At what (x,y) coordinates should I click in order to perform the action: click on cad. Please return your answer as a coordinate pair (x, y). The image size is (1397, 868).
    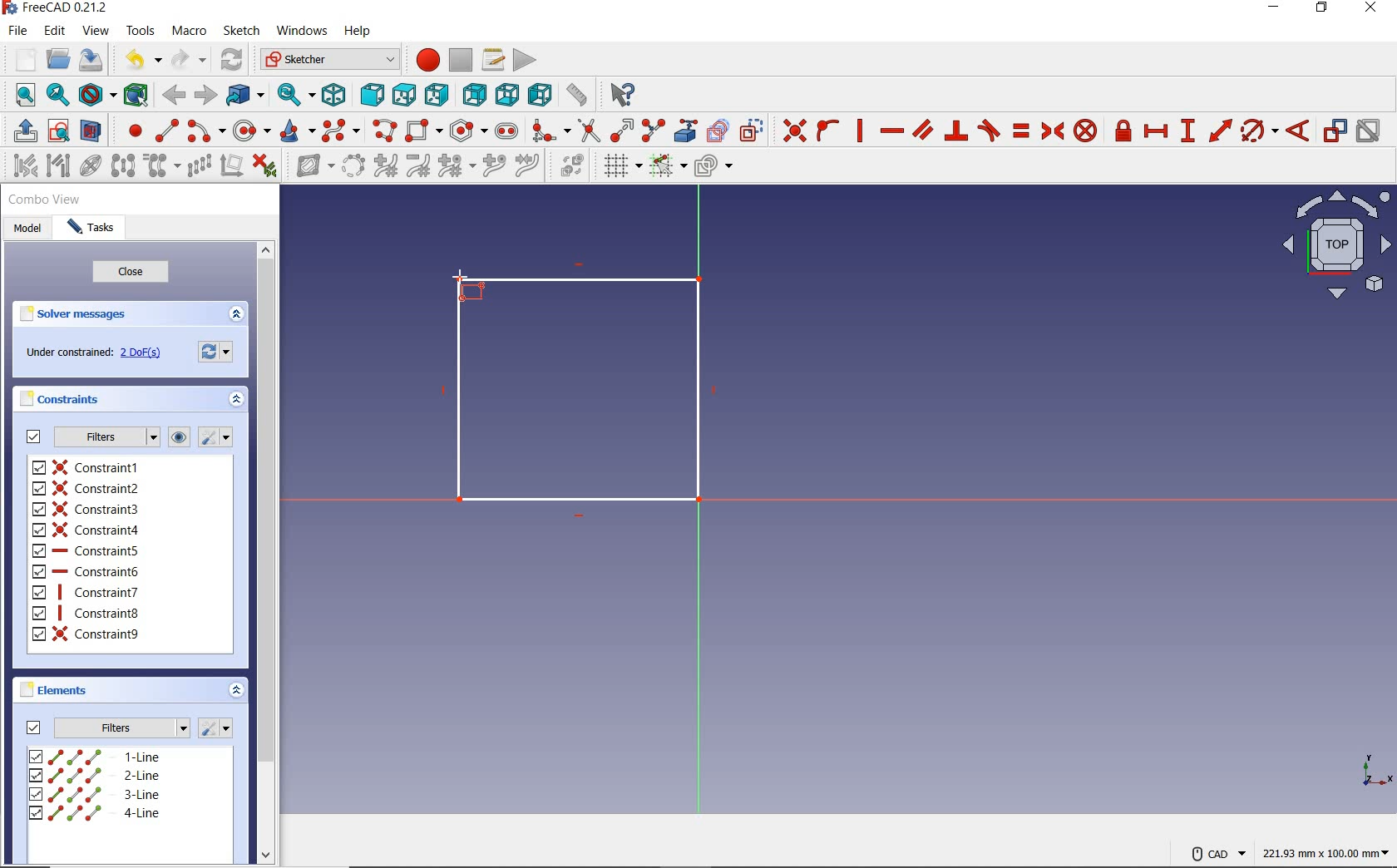
    Looking at the image, I should click on (1218, 848).